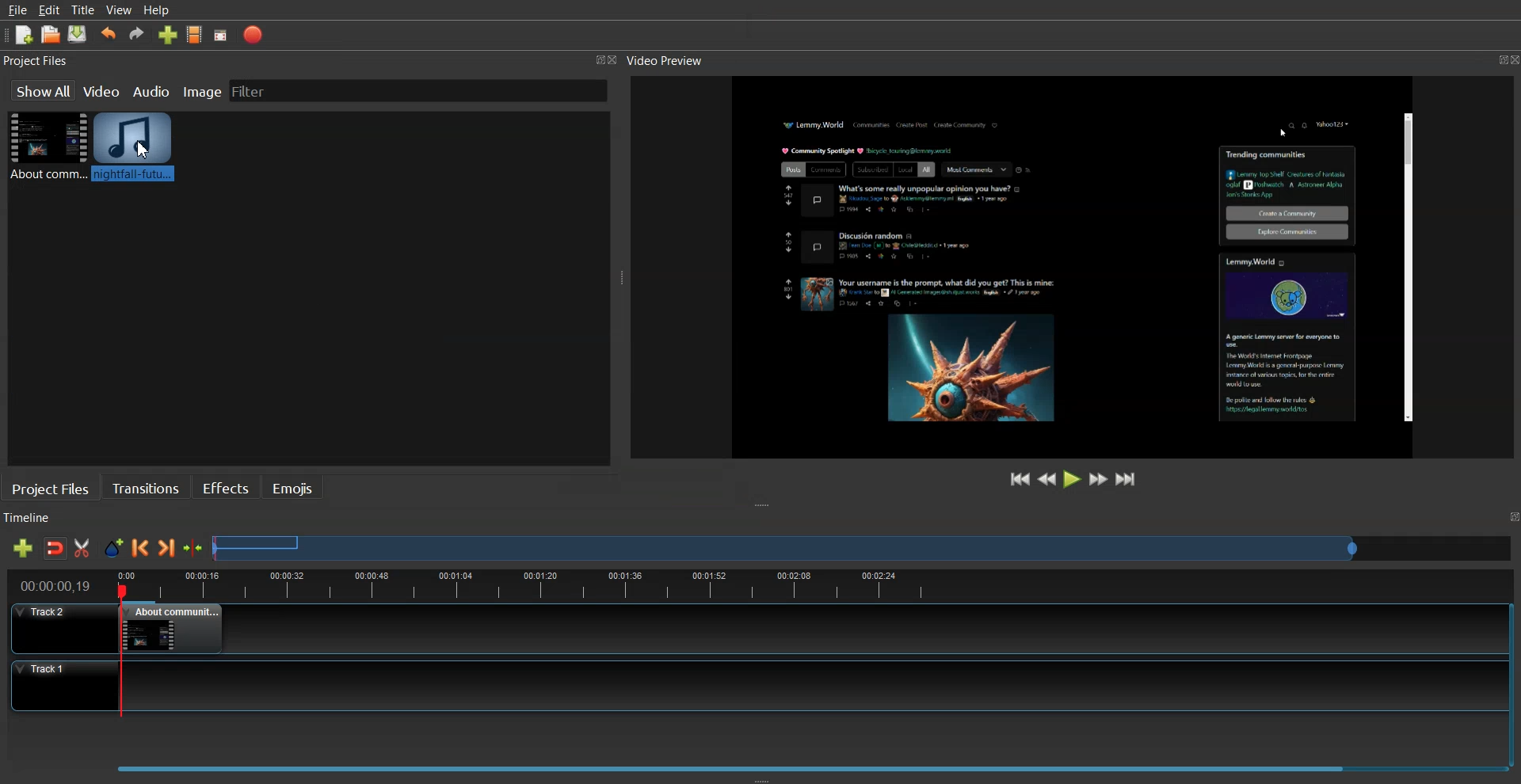  Describe the element at coordinates (1492, 57) in the screenshot. I see `Maximize` at that location.